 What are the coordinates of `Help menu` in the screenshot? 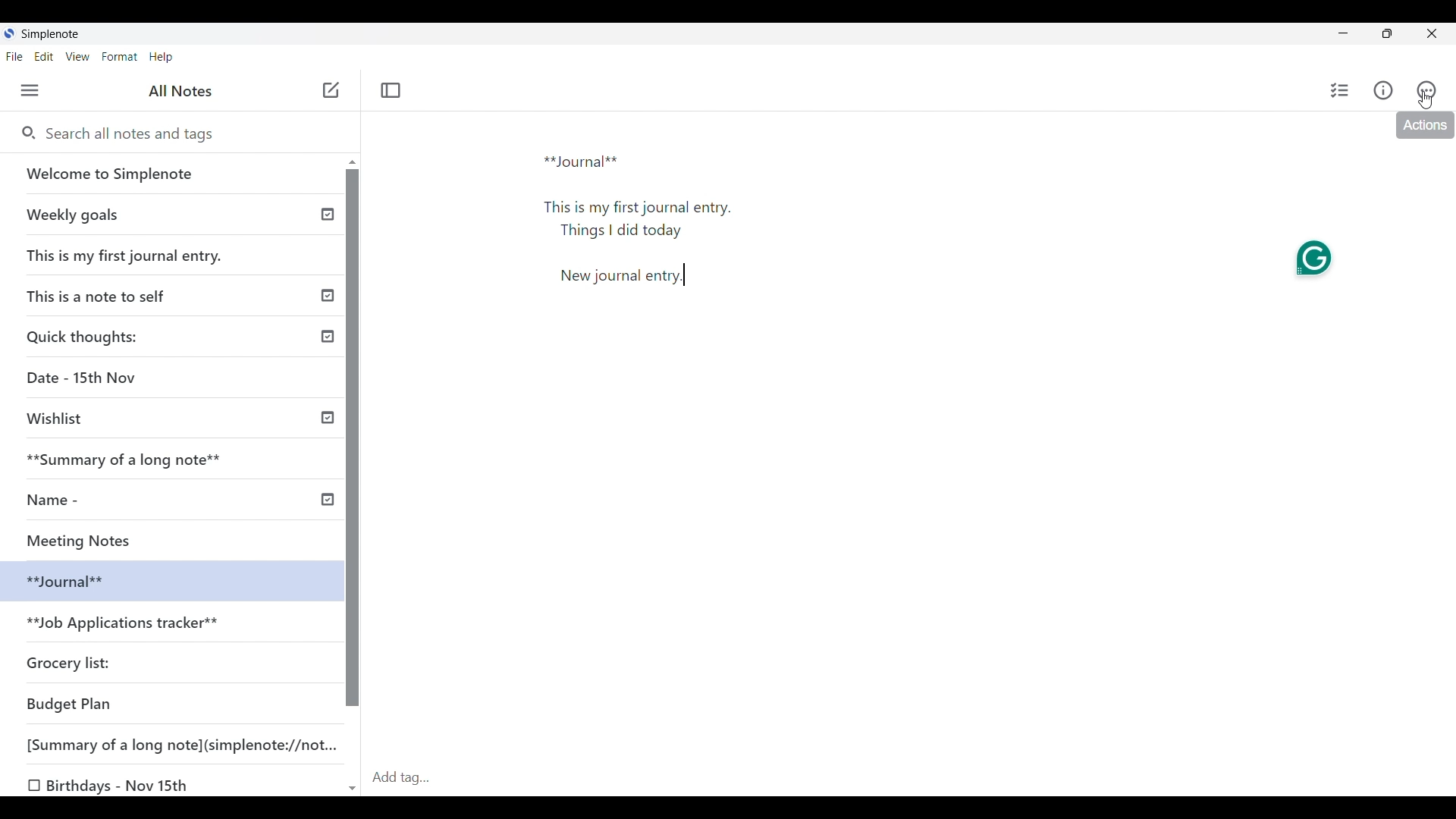 It's located at (162, 58).